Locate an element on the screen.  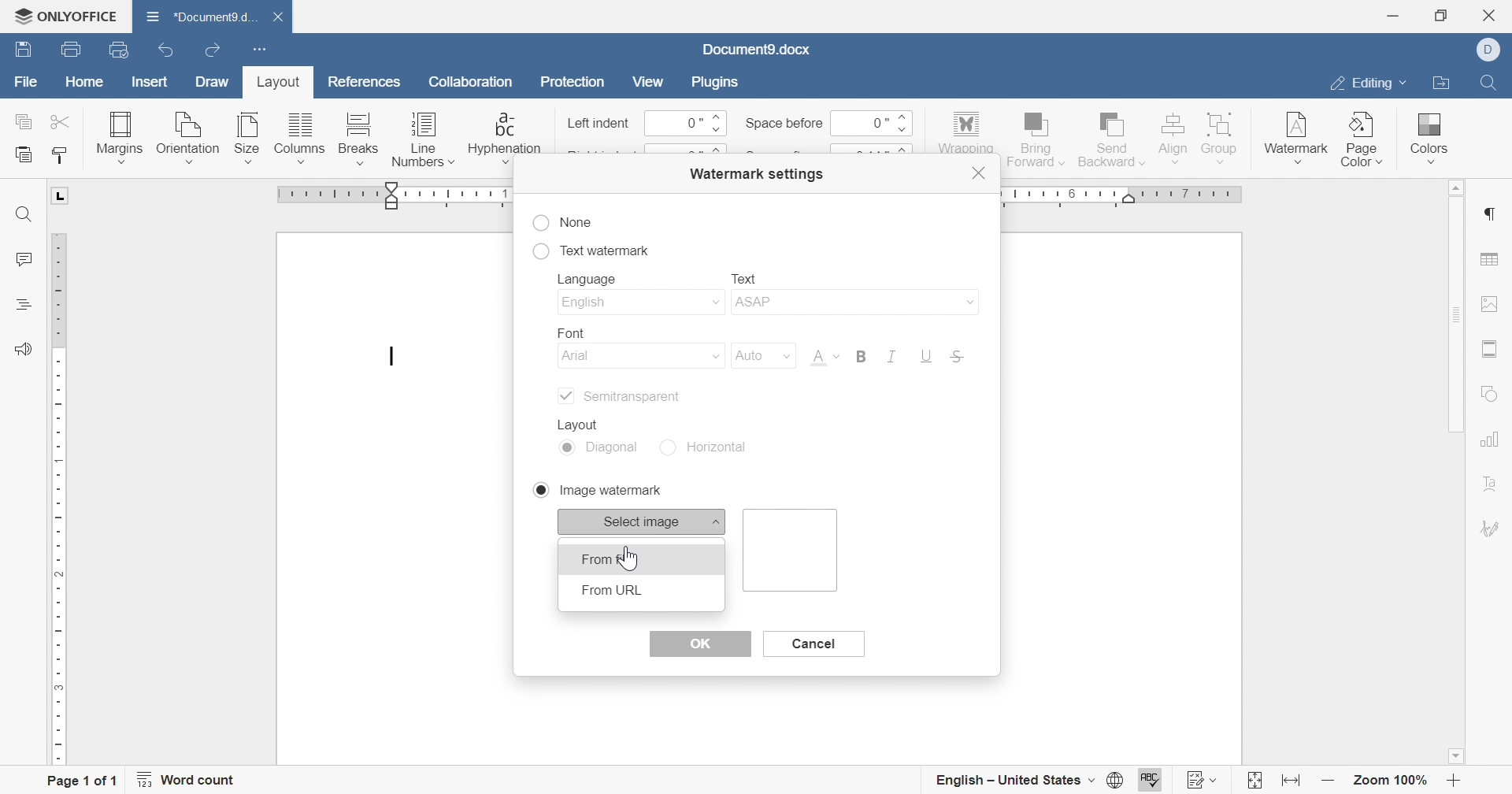
align is located at coordinates (1172, 136).